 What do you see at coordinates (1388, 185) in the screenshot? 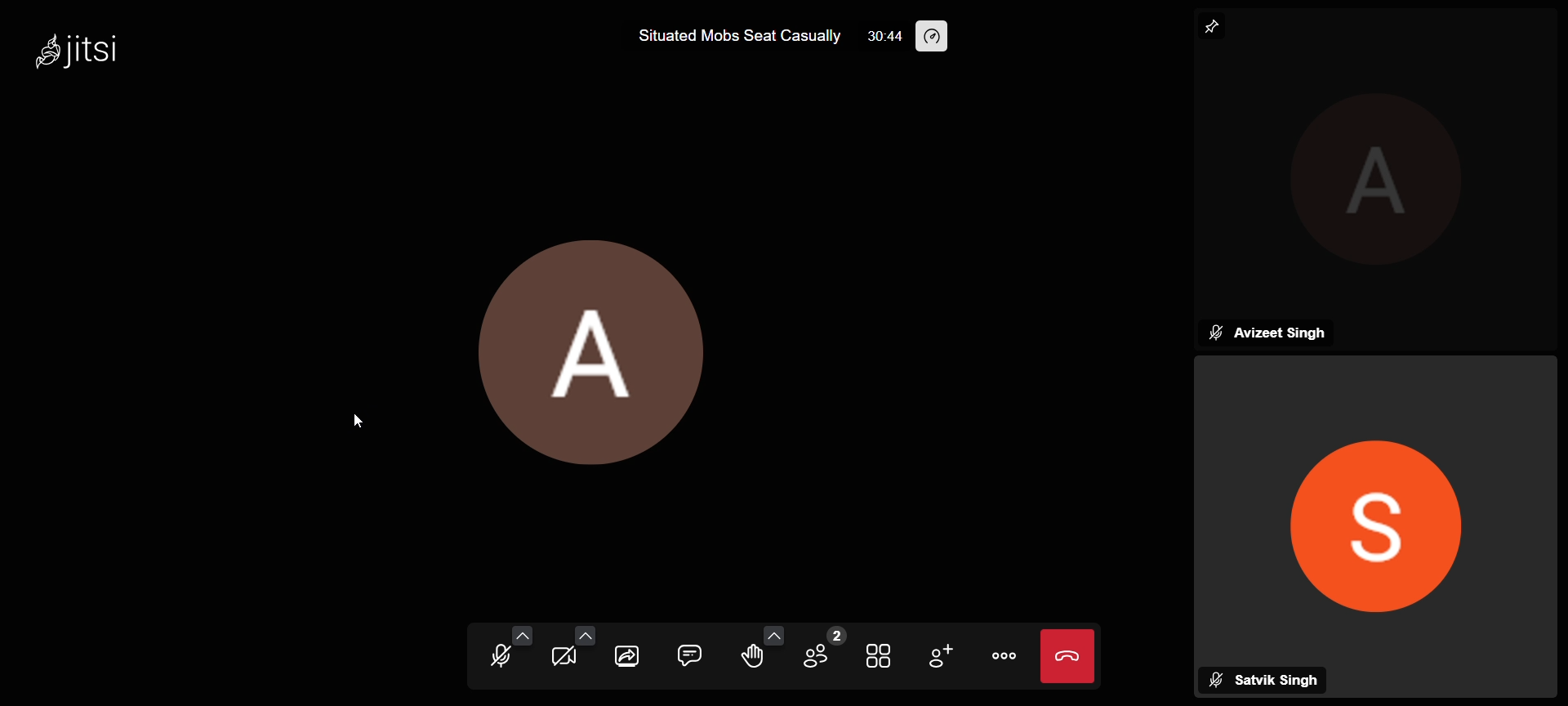
I see `Meeting Organizer ` at bounding box center [1388, 185].